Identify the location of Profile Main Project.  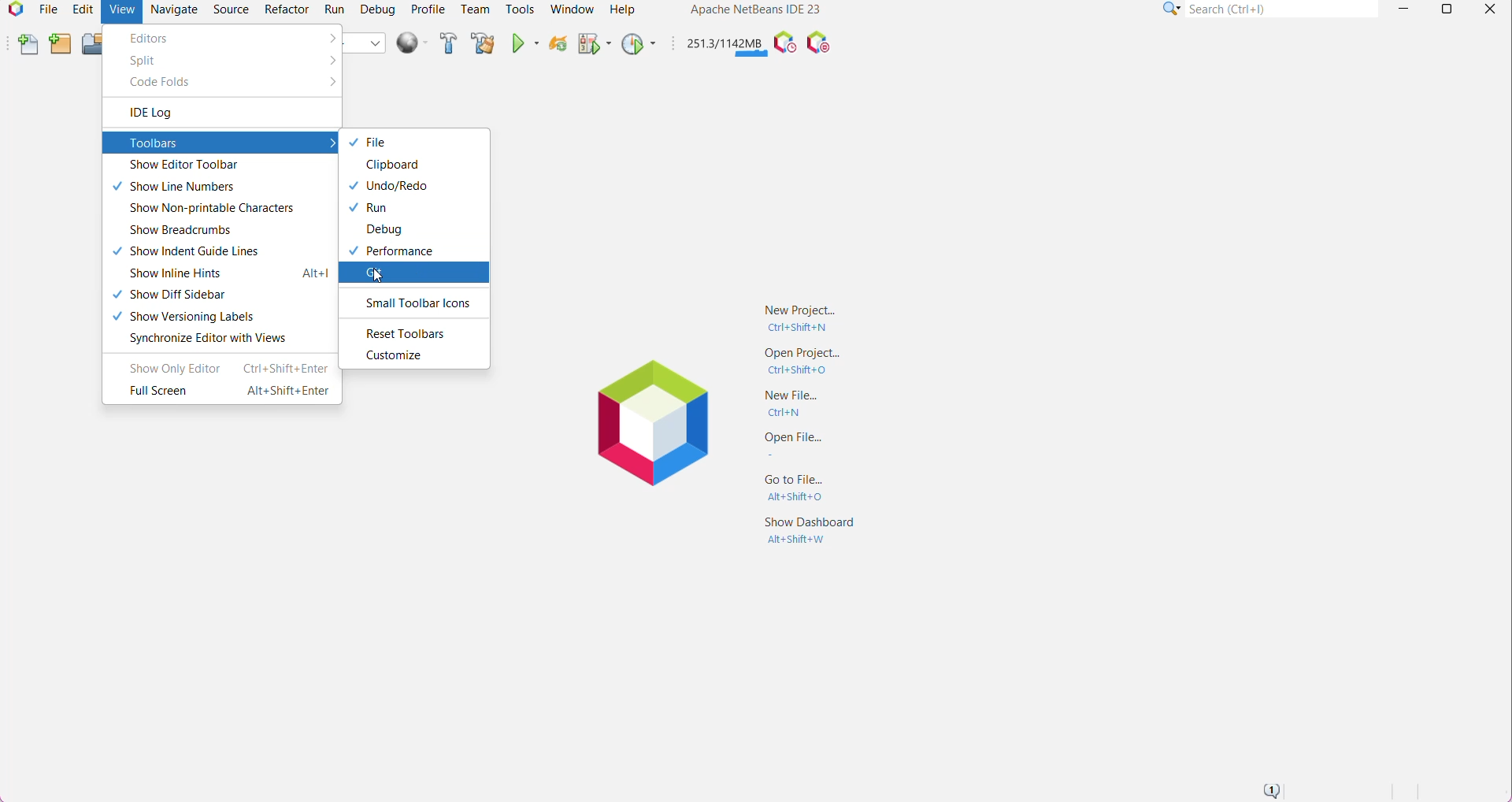
(637, 45).